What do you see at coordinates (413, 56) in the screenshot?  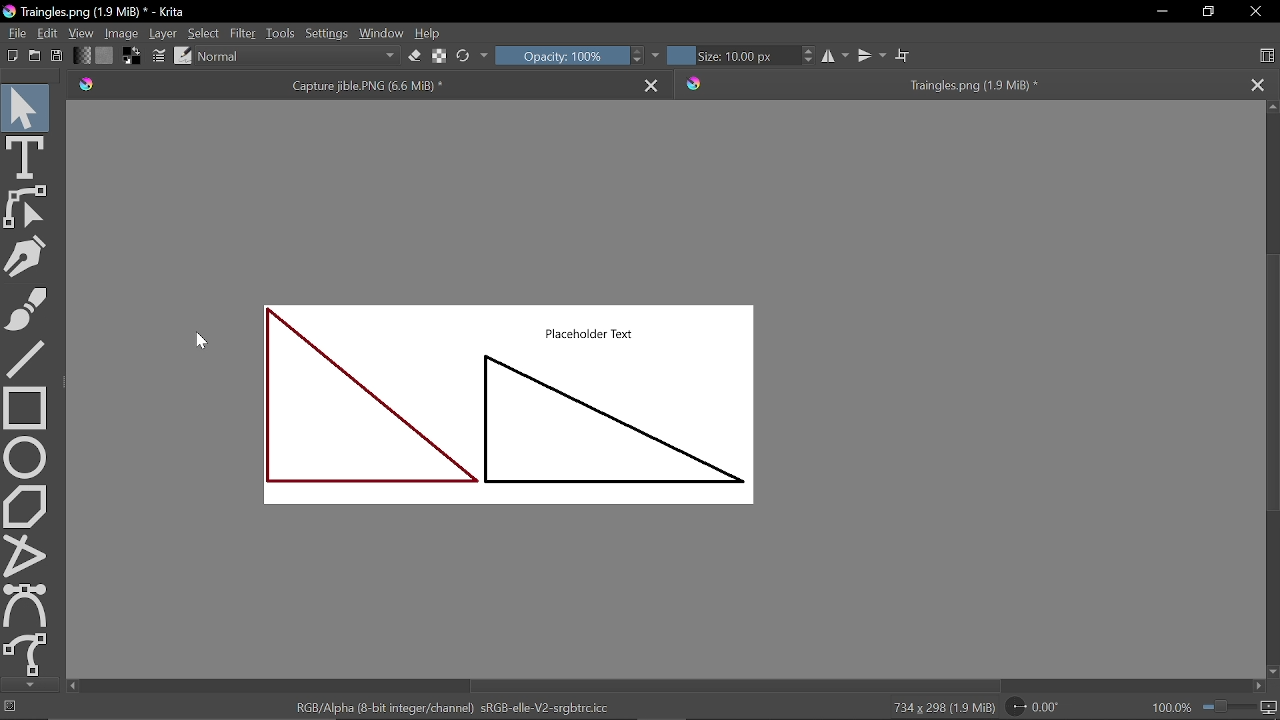 I see `Eraser` at bounding box center [413, 56].